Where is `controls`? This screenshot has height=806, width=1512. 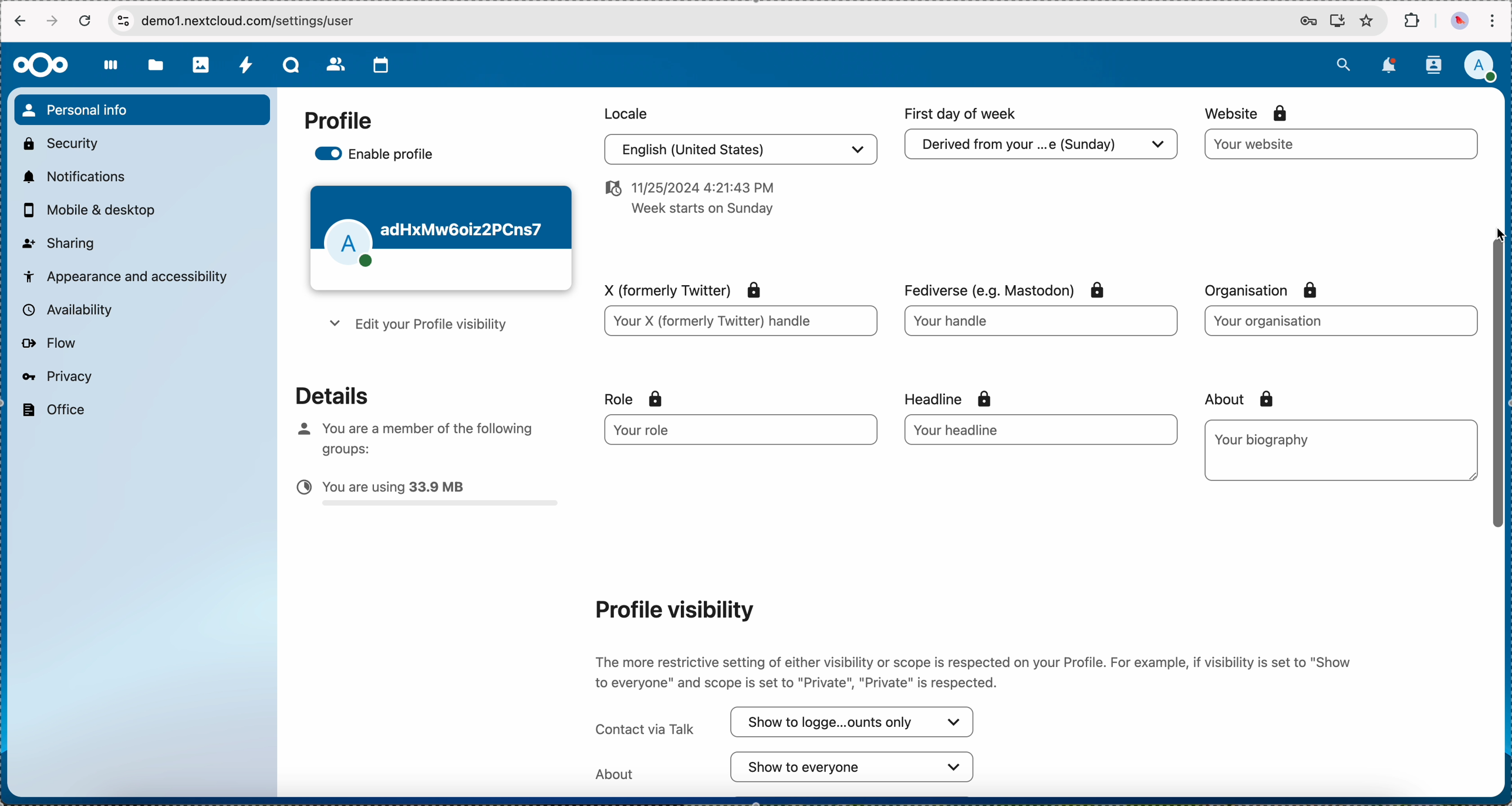 controls is located at coordinates (123, 20).